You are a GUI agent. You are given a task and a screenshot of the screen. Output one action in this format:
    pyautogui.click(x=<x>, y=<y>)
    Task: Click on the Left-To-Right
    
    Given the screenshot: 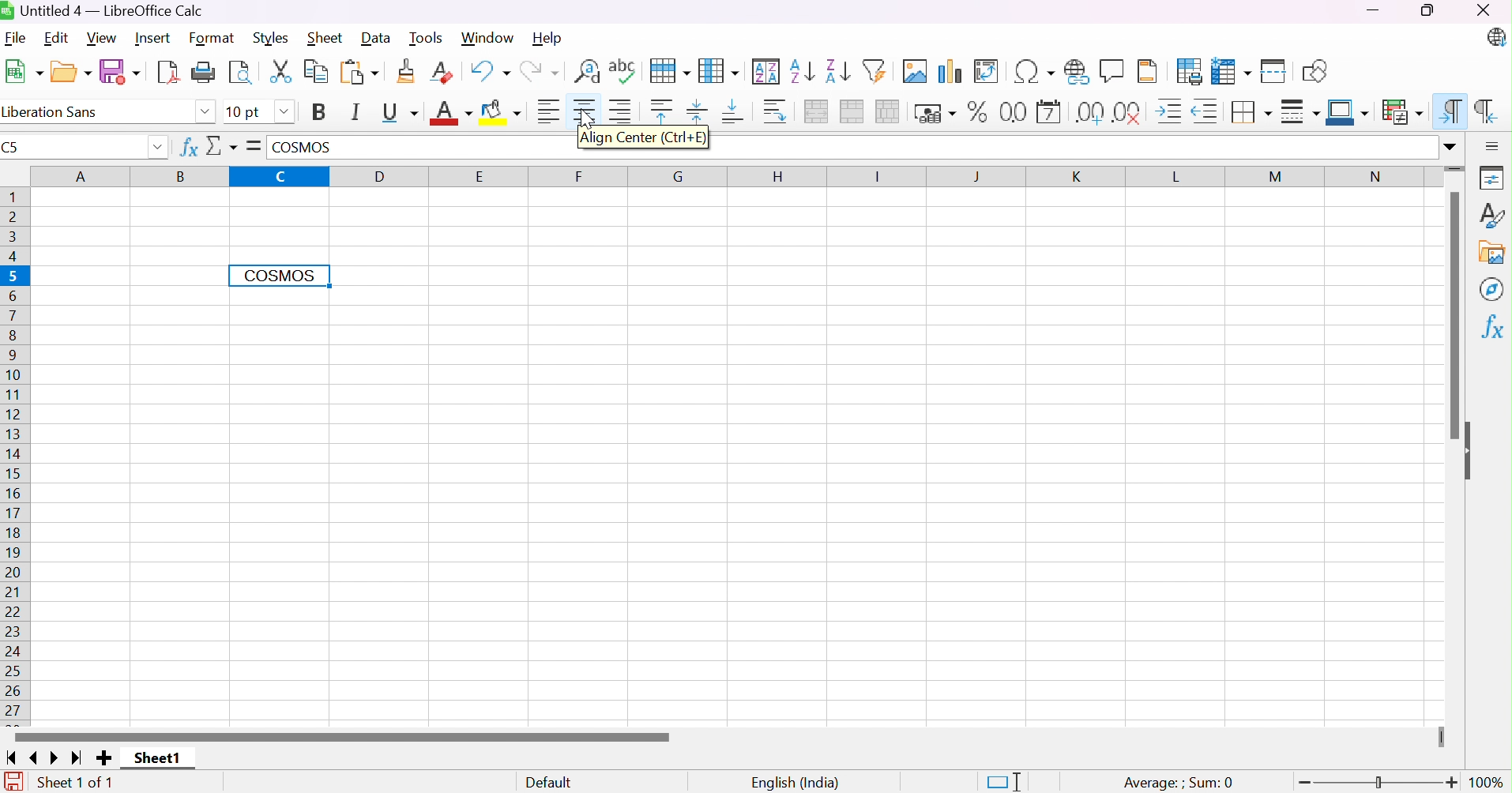 What is the action you would take?
    pyautogui.click(x=1447, y=109)
    